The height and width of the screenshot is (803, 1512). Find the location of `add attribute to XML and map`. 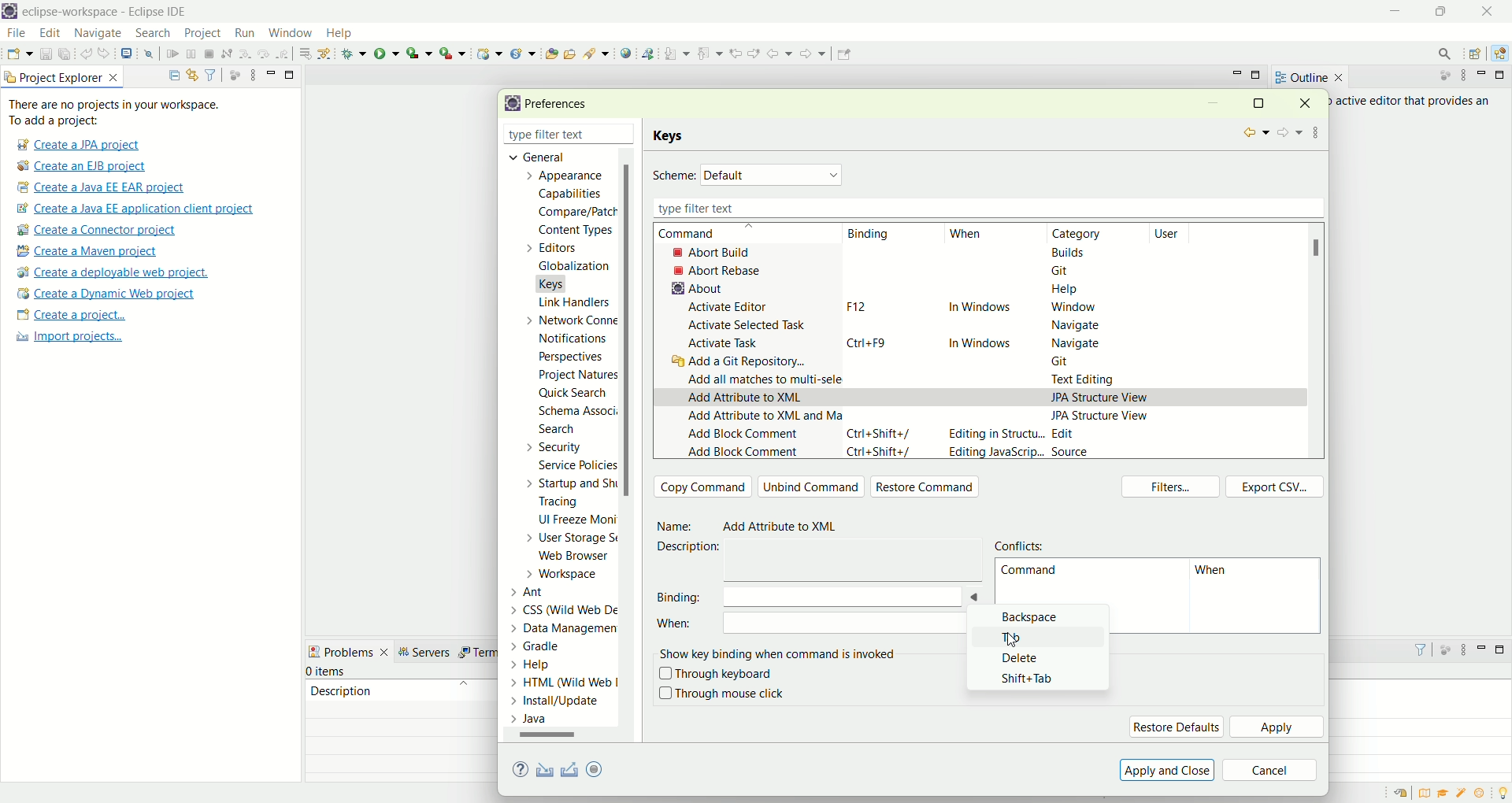

add attribute to XML and map is located at coordinates (762, 420).